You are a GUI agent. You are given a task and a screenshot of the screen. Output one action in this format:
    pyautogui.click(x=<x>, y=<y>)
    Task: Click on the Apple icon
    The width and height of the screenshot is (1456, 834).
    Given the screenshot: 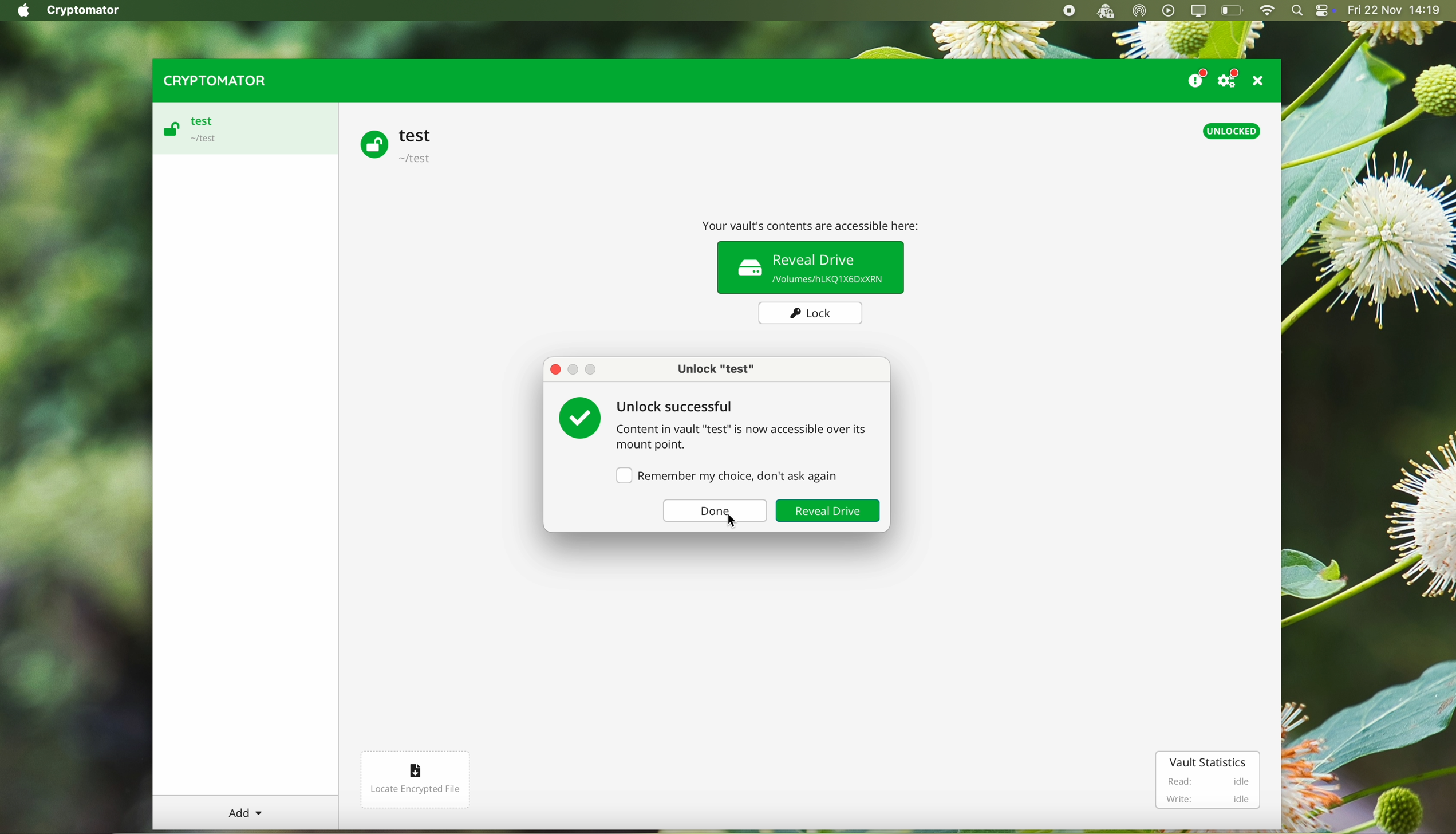 What is the action you would take?
    pyautogui.click(x=20, y=10)
    